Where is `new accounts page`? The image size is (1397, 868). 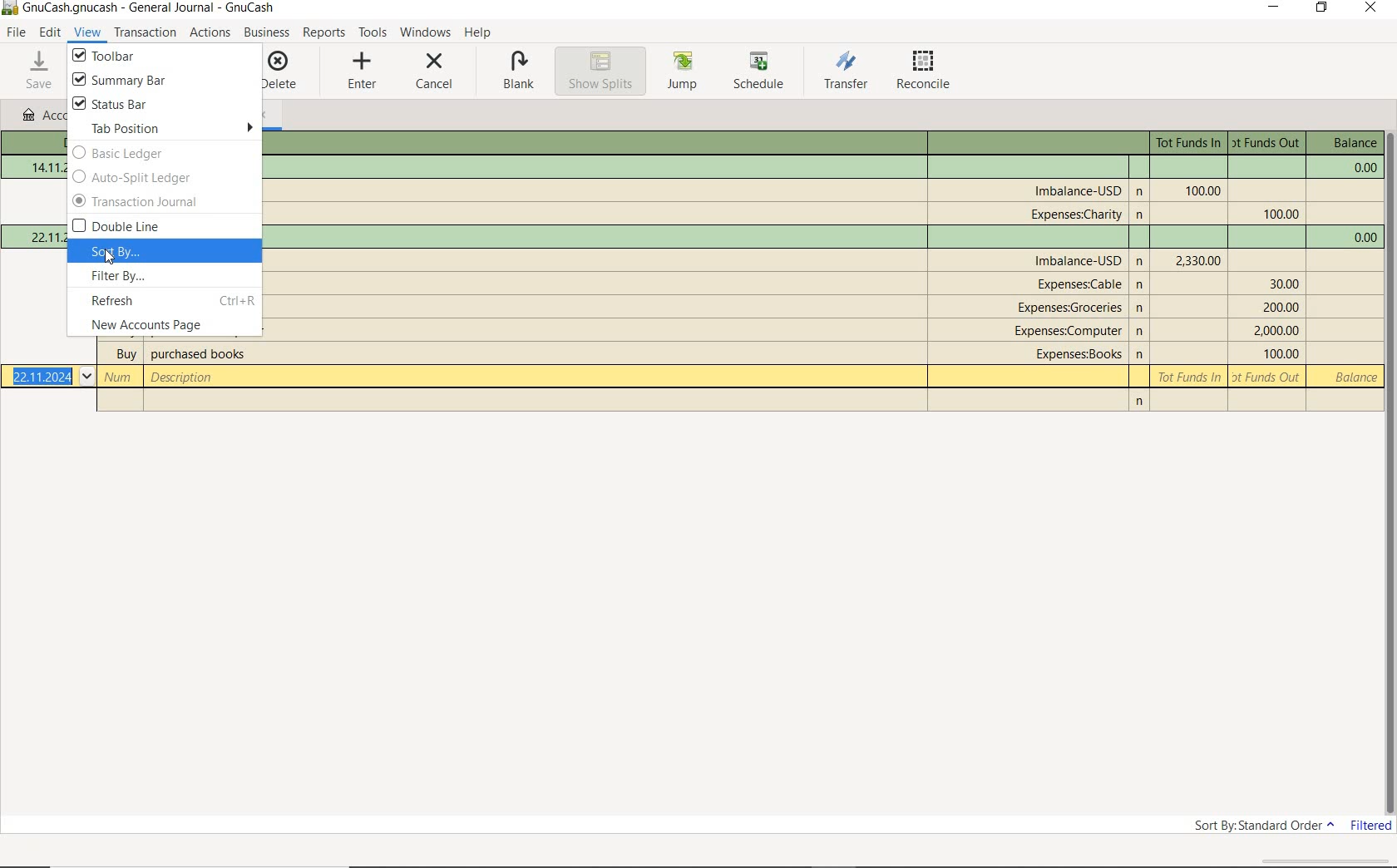 new accounts page is located at coordinates (169, 326).